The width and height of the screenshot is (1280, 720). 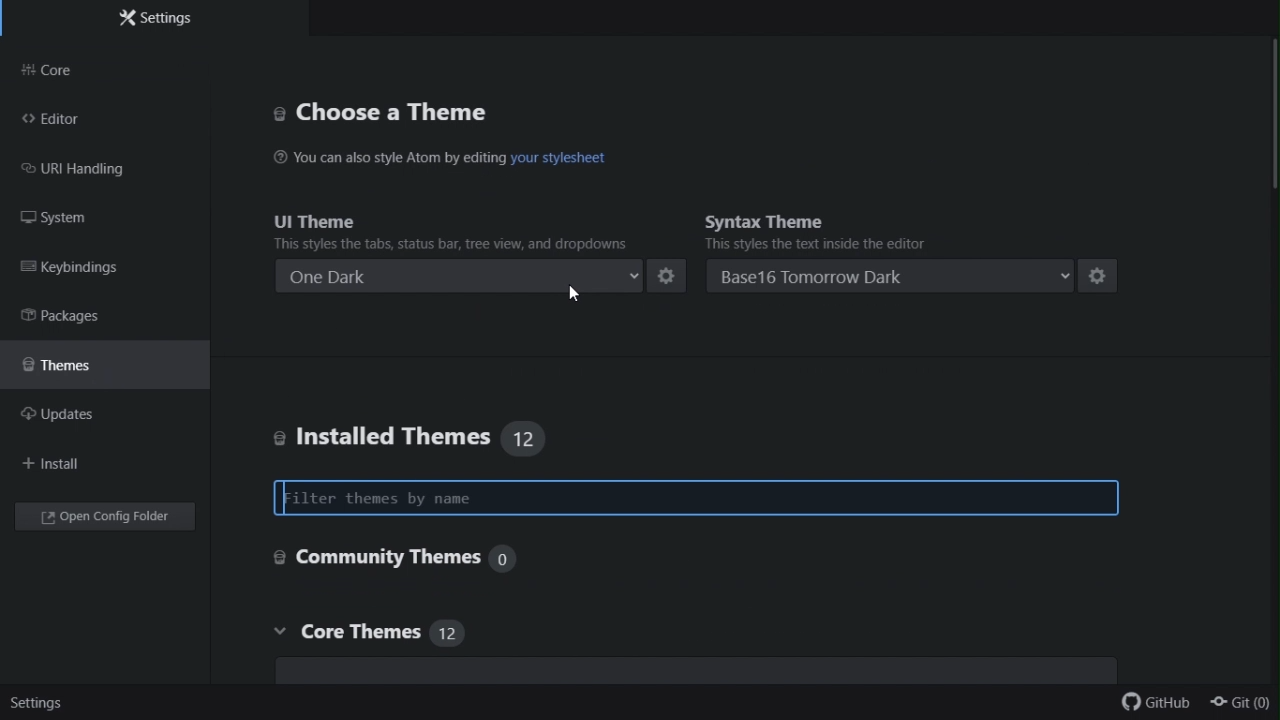 What do you see at coordinates (35, 706) in the screenshot?
I see `settings` at bounding box center [35, 706].